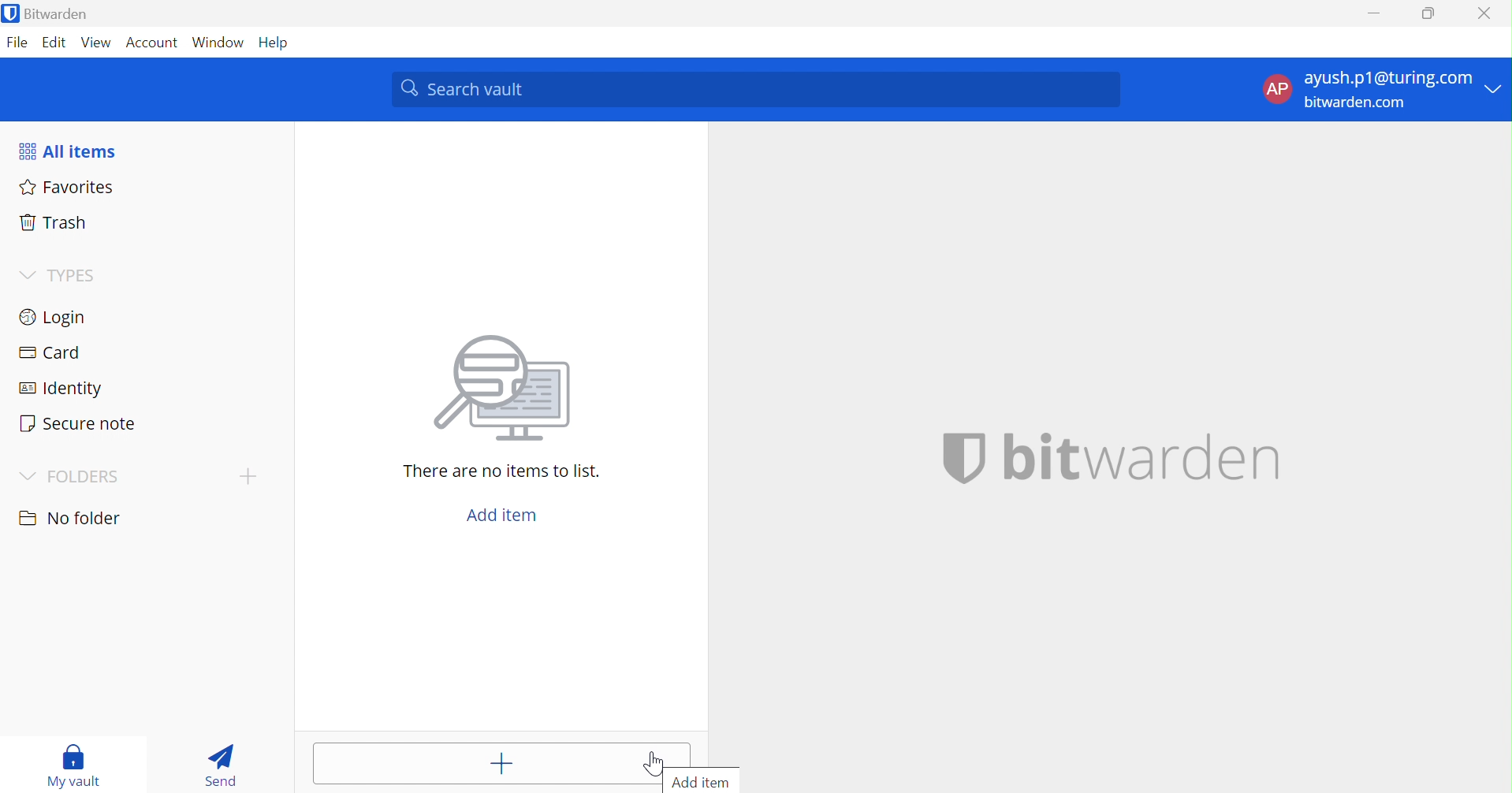 Image resolution: width=1512 pixels, height=793 pixels. What do you see at coordinates (498, 471) in the screenshot?
I see `There are no items to list.` at bounding box center [498, 471].